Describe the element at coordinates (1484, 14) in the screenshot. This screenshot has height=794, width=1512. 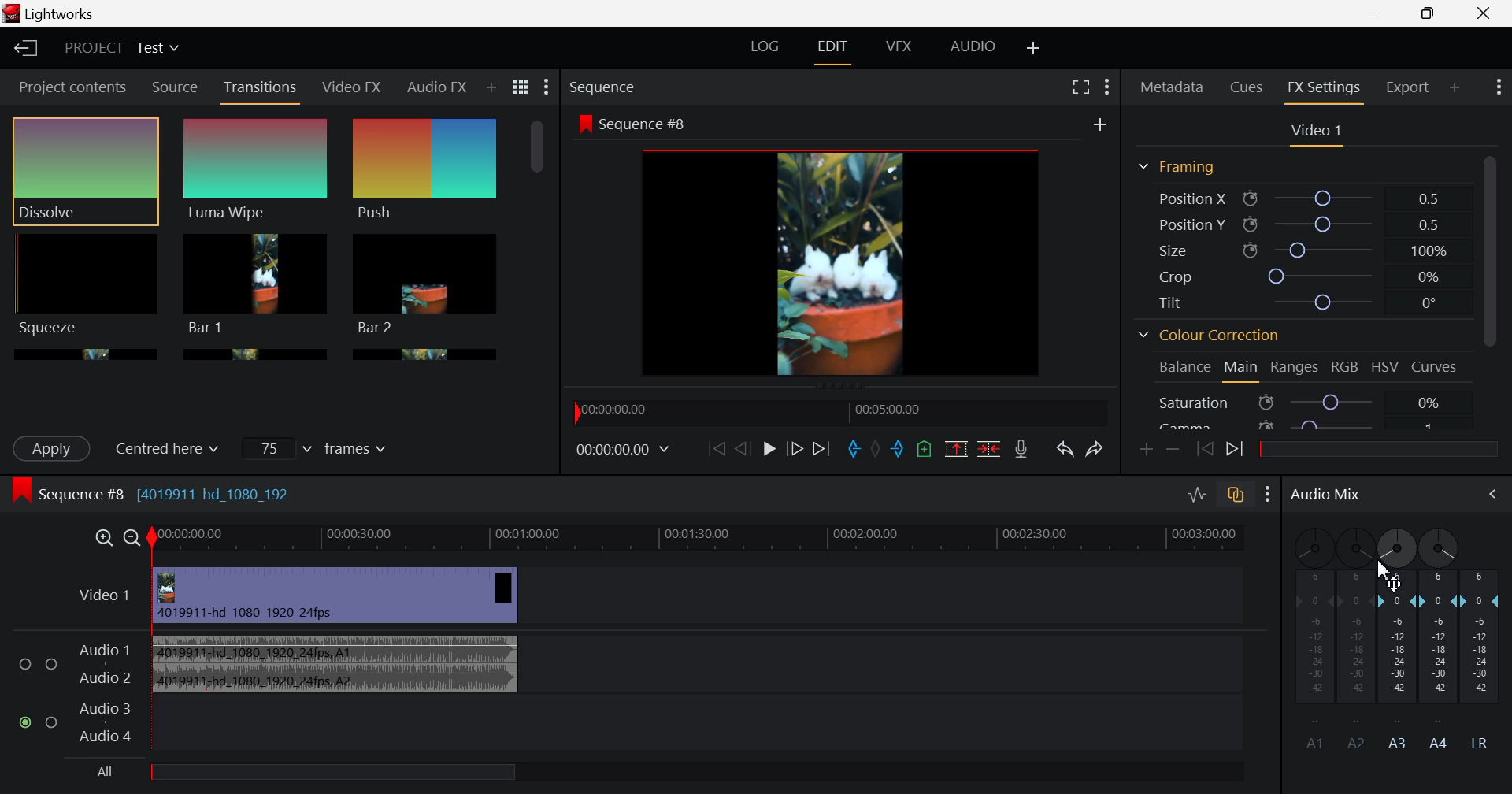
I see `Close` at that location.